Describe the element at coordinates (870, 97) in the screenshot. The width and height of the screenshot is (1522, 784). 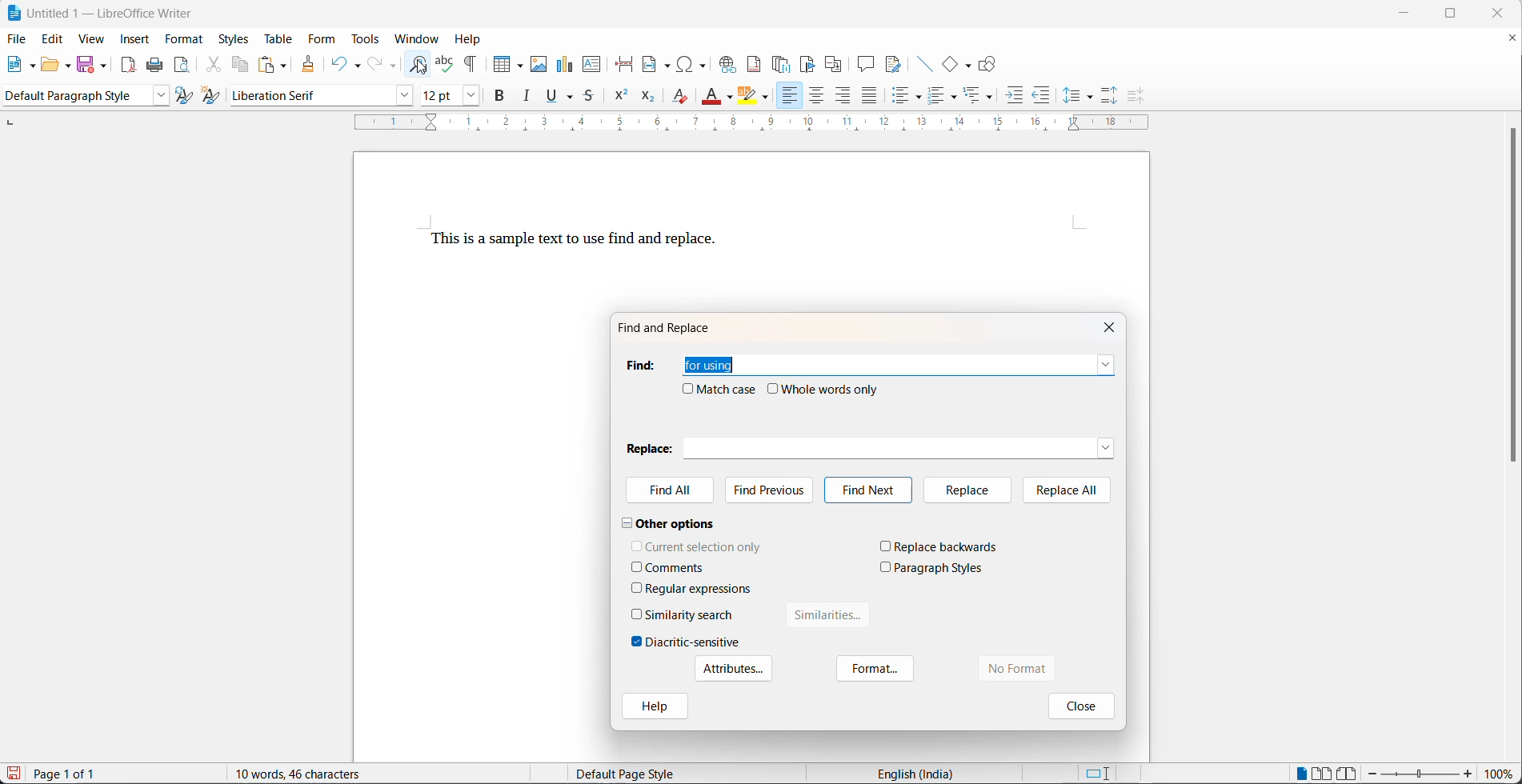
I see `justified` at that location.